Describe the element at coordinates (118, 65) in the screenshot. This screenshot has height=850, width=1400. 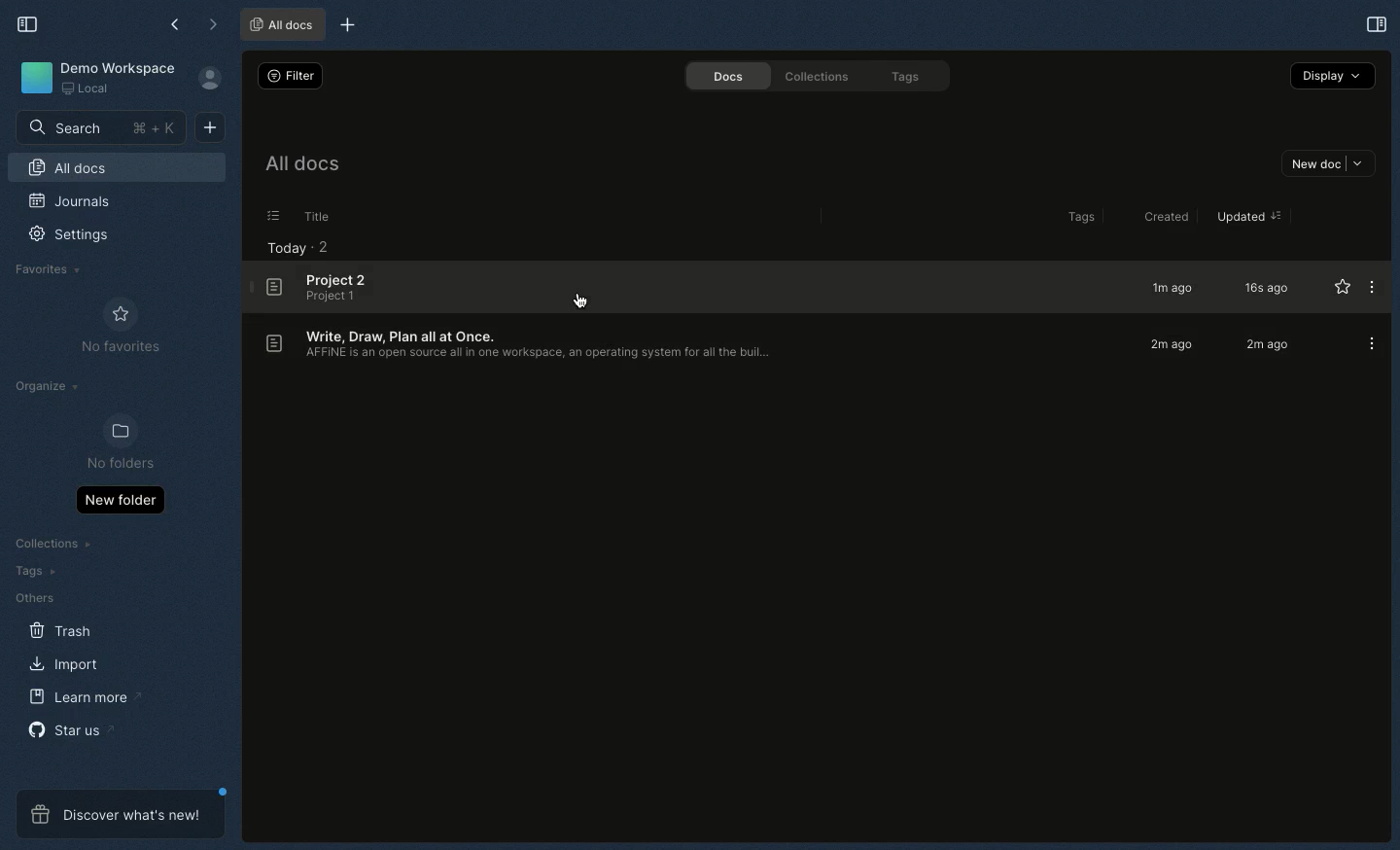
I see `Demo workspace` at that location.